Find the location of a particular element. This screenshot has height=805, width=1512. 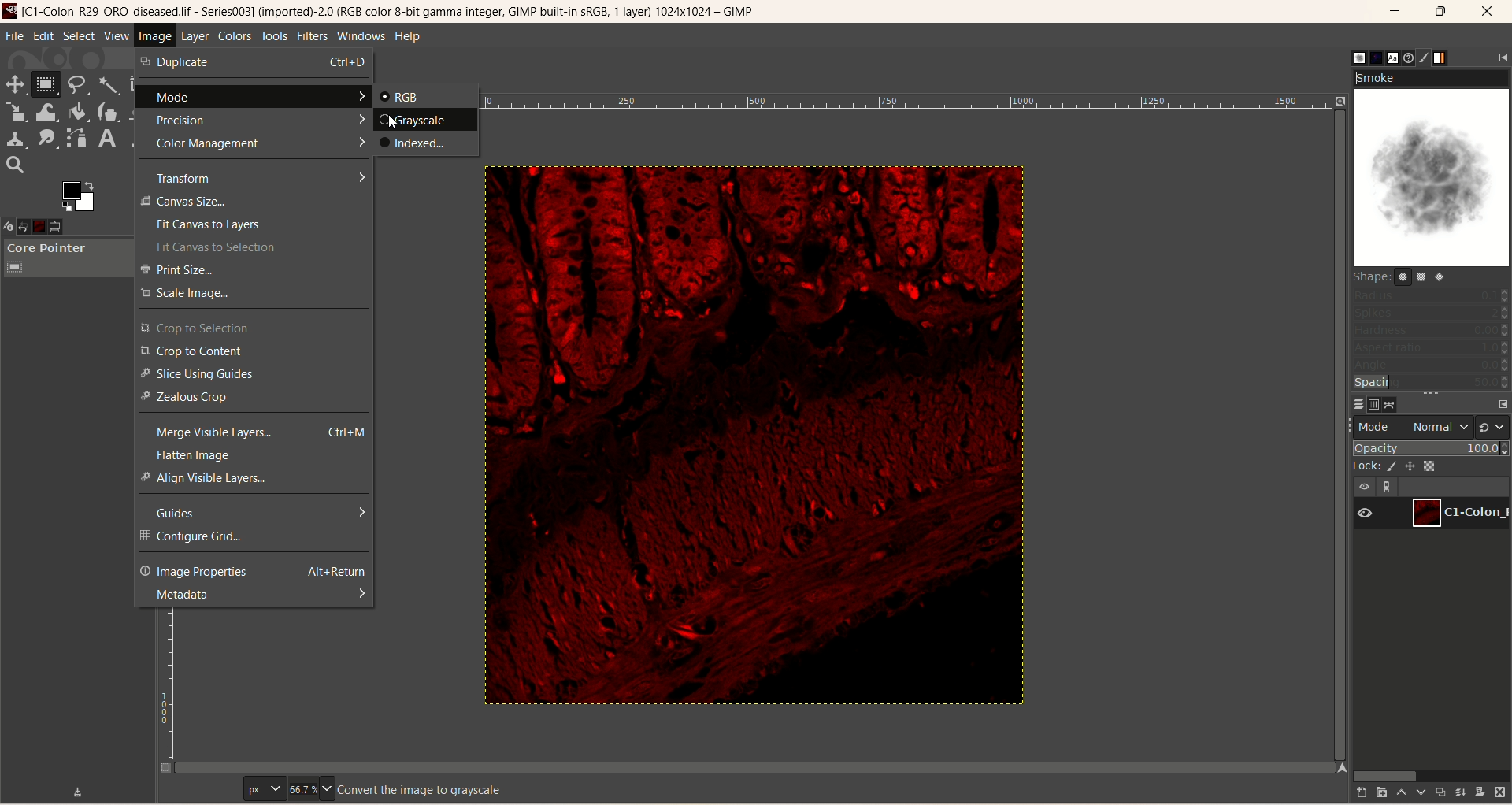

path tool is located at coordinates (76, 138).